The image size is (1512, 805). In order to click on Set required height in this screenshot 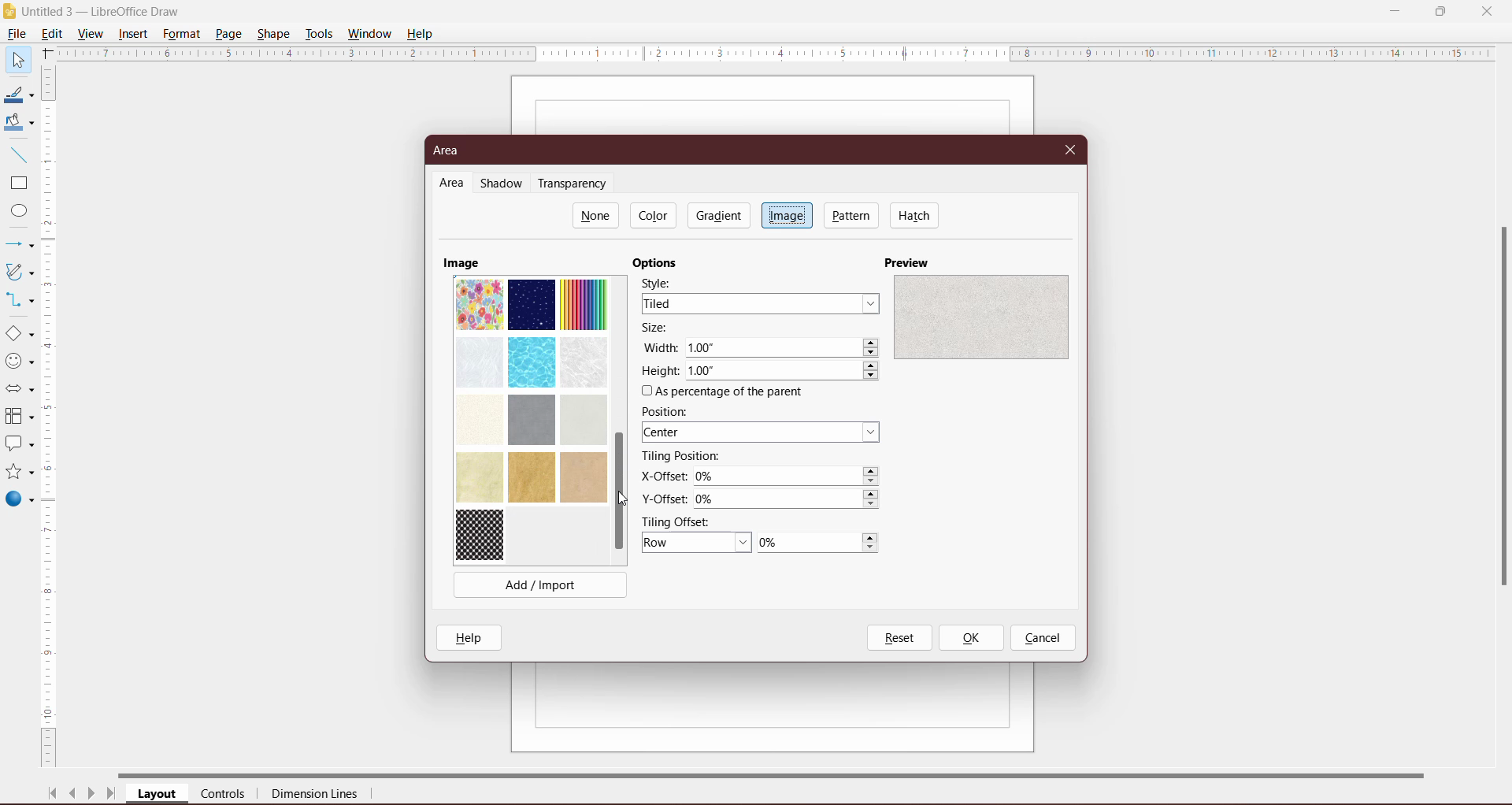, I will do `click(784, 372)`.